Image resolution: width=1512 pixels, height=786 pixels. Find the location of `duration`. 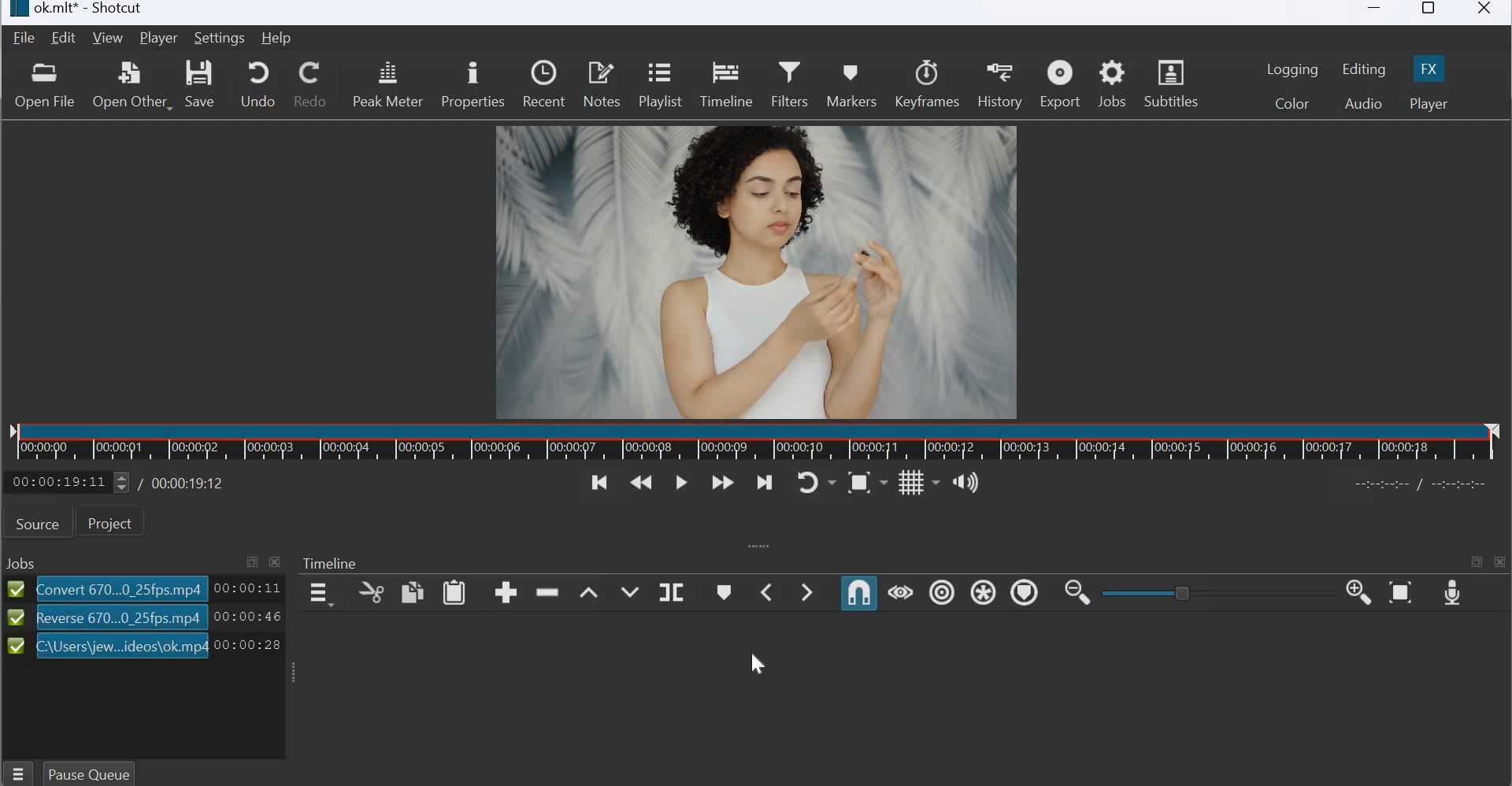

duration is located at coordinates (247, 616).